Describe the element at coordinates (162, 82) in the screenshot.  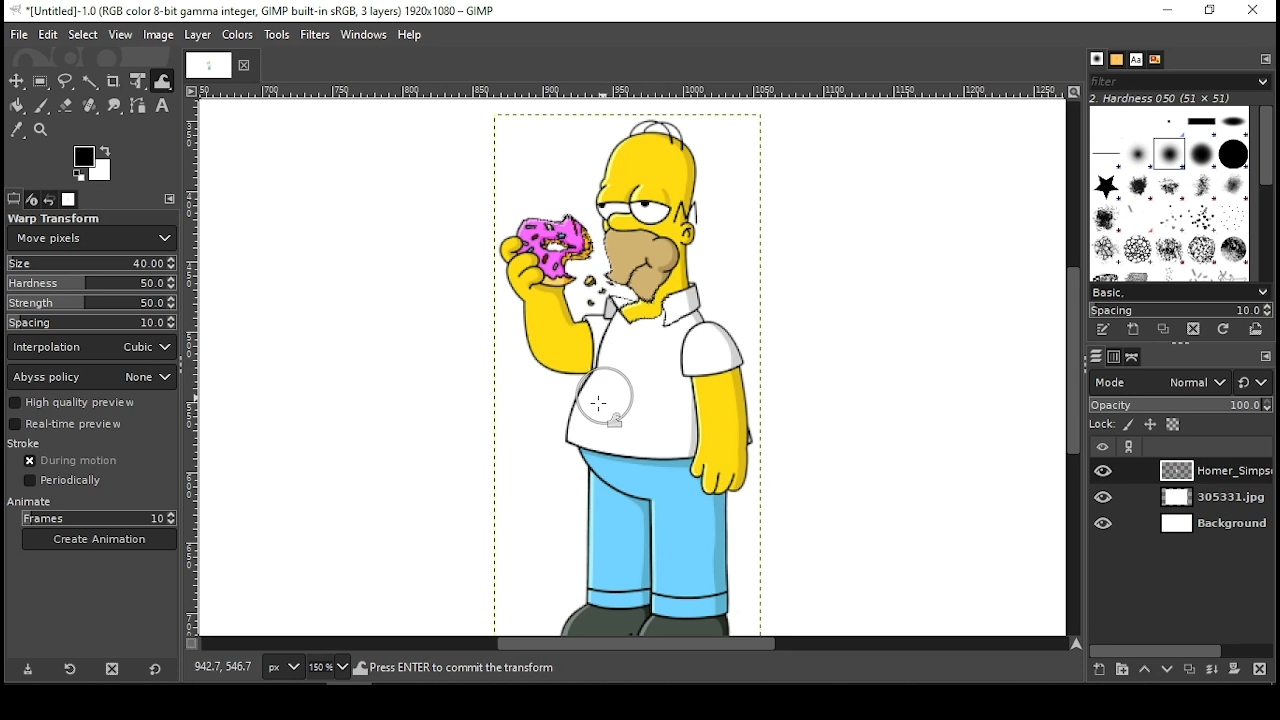
I see `warp tool` at that location.